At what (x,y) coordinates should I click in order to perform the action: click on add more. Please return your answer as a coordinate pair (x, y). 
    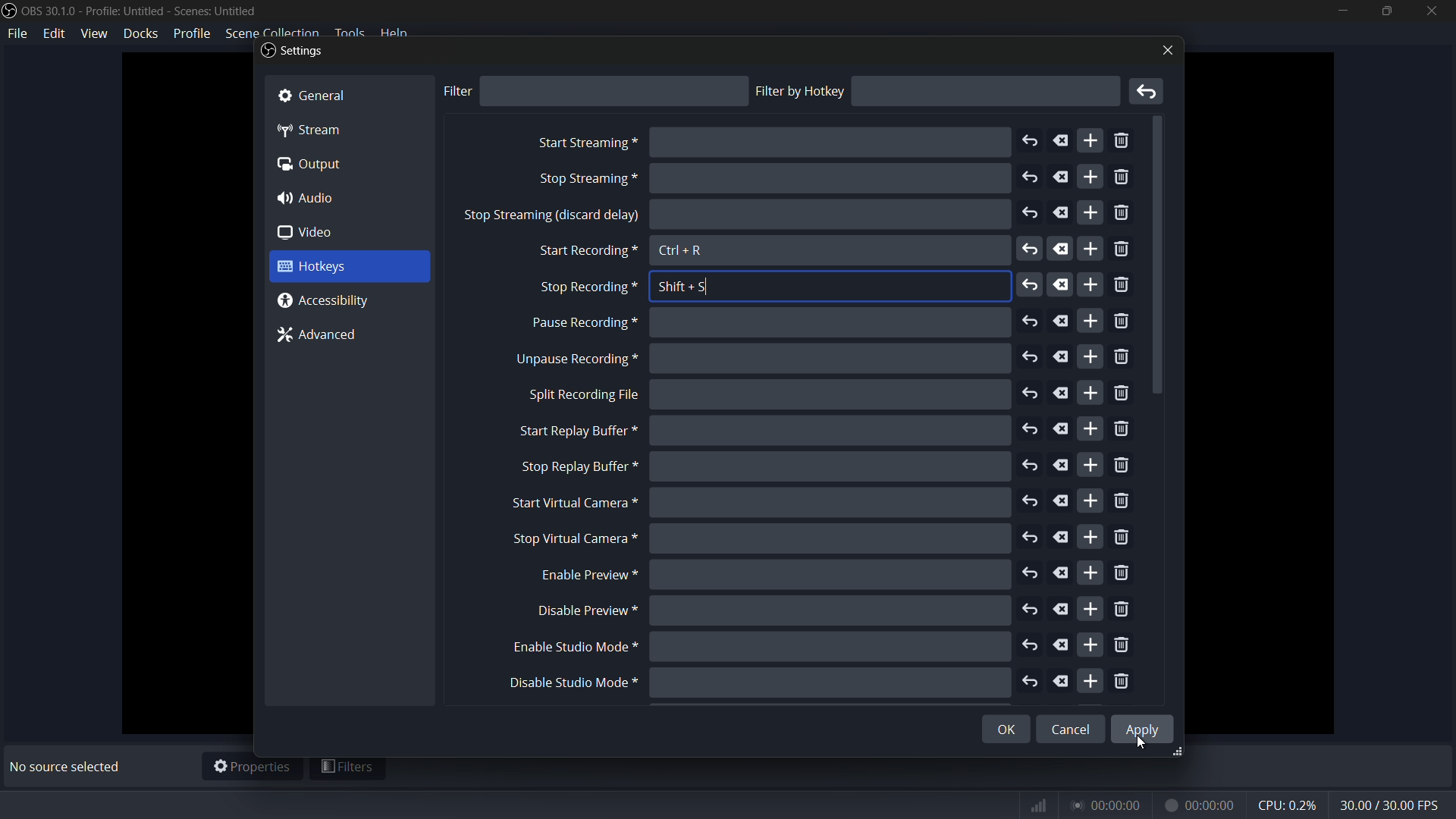
    Looking at the image, I should click on (1090, 574).